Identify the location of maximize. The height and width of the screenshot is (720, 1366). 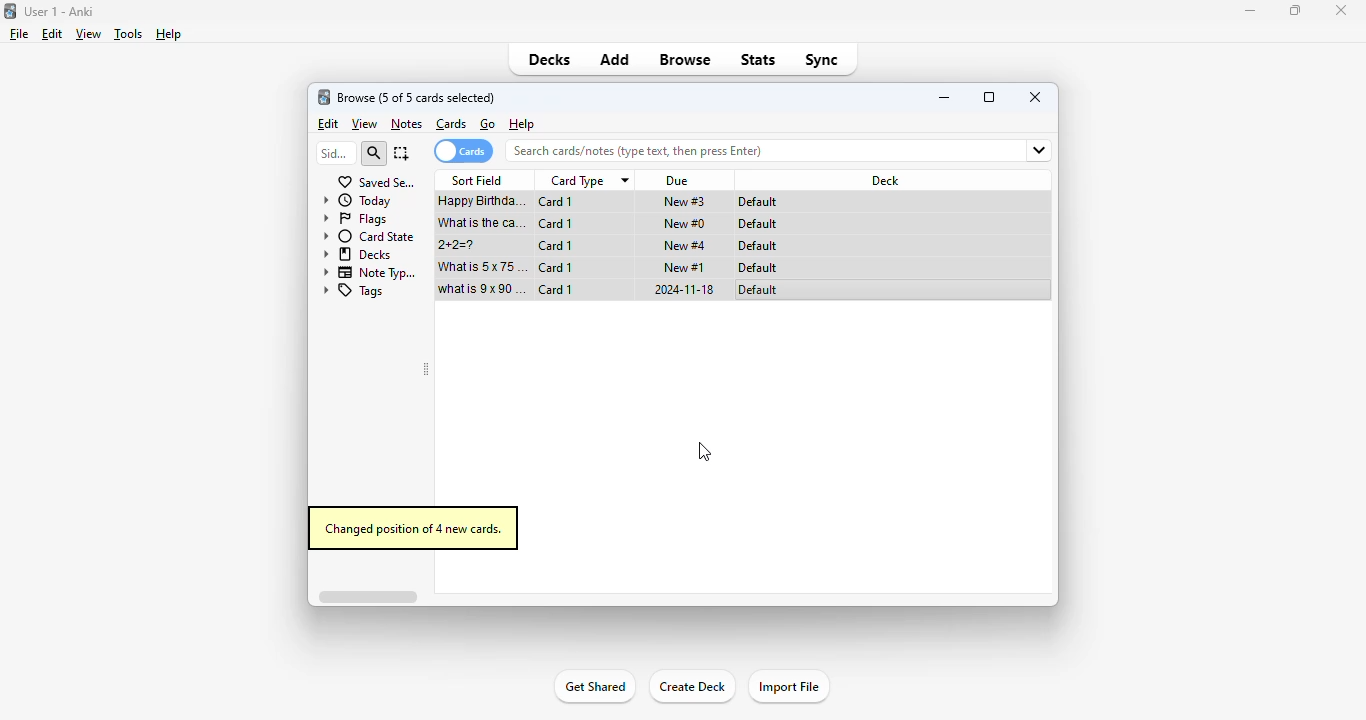
(1294, 11).